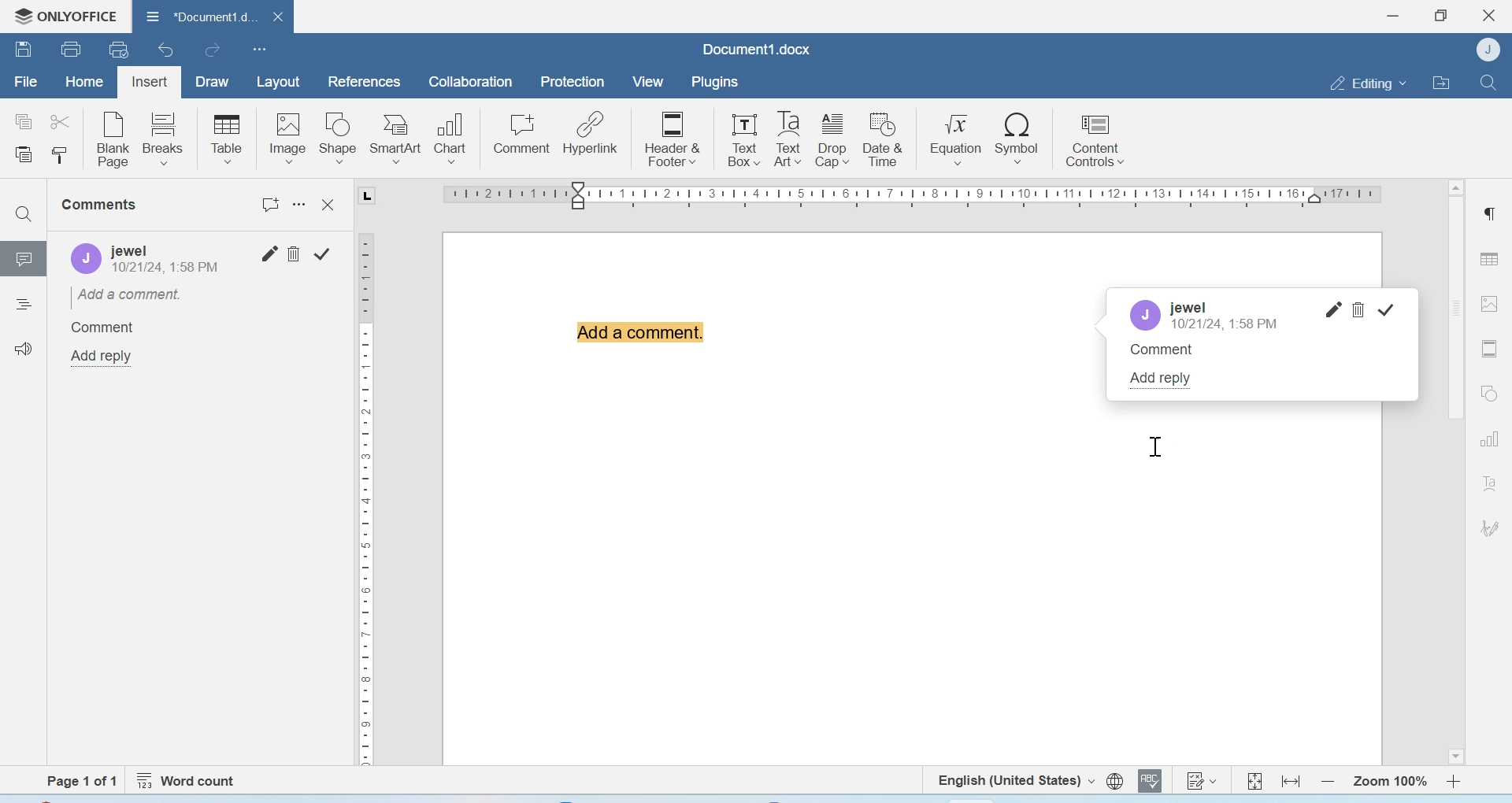 This screenshot has width=1512, height=803. I want to click on customize quick access toolbar, so click(260, 49).